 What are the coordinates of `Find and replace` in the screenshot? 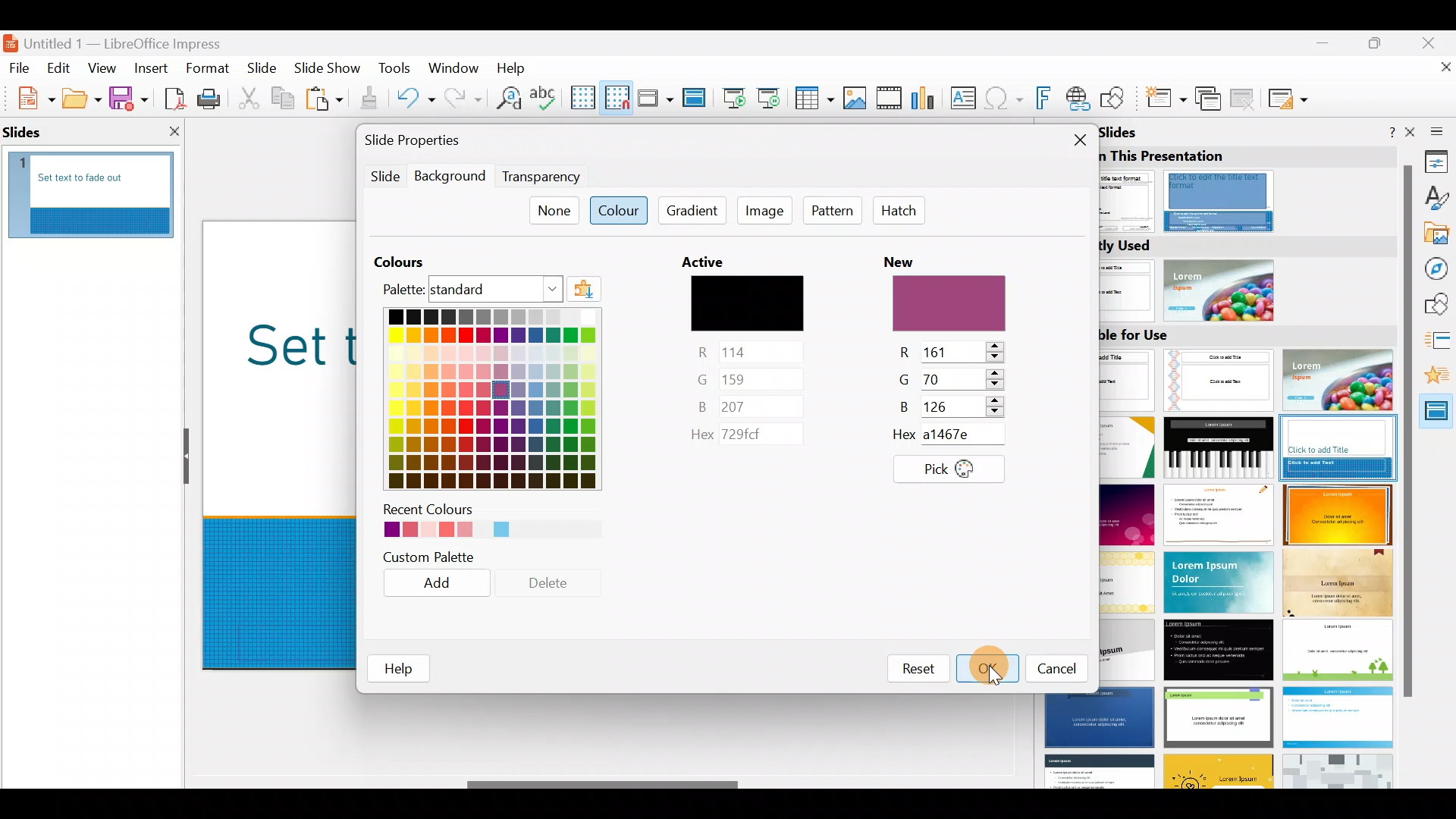 It's located at (506, 98).